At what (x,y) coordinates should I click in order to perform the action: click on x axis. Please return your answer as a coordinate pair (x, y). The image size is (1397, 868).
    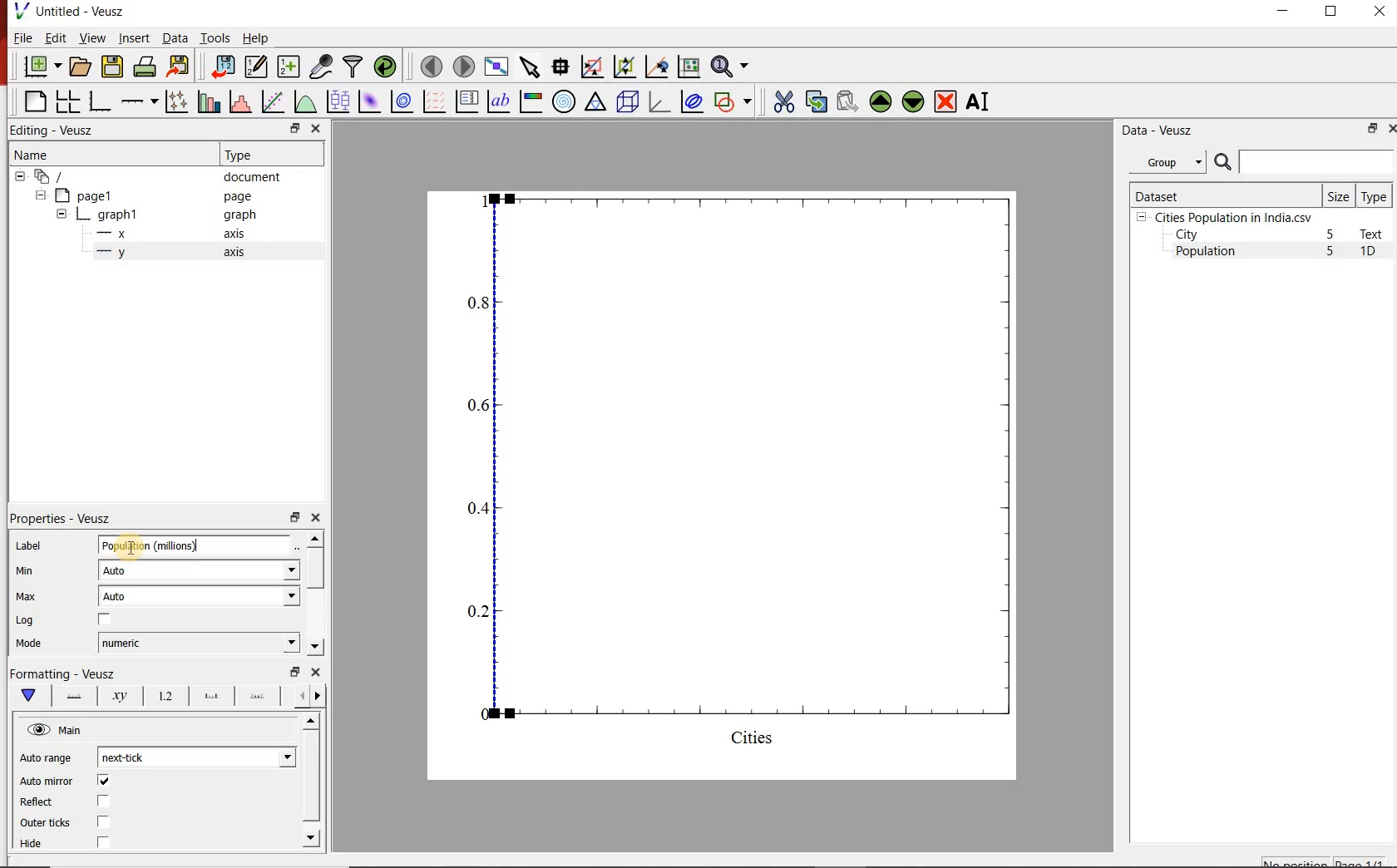
    Looking at the image, I should click on (173, 234).